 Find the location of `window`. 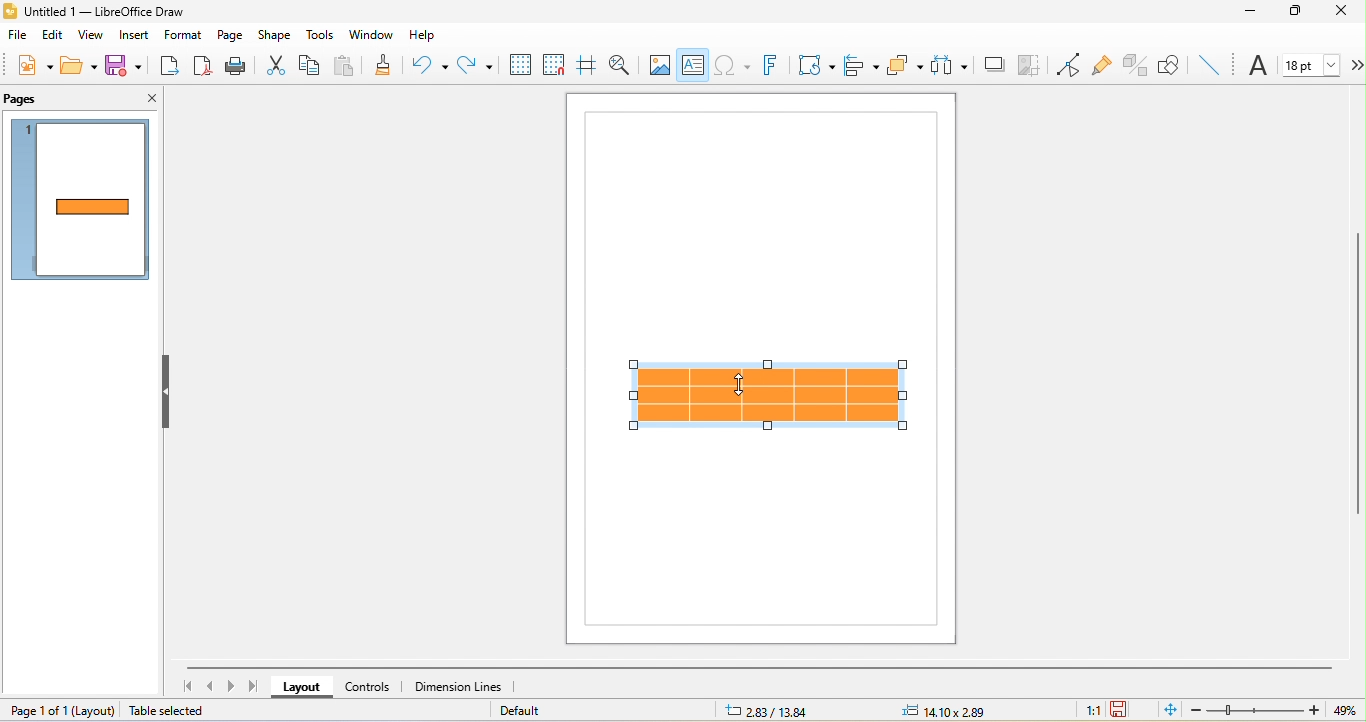

window is located at coordinates (368, 33).